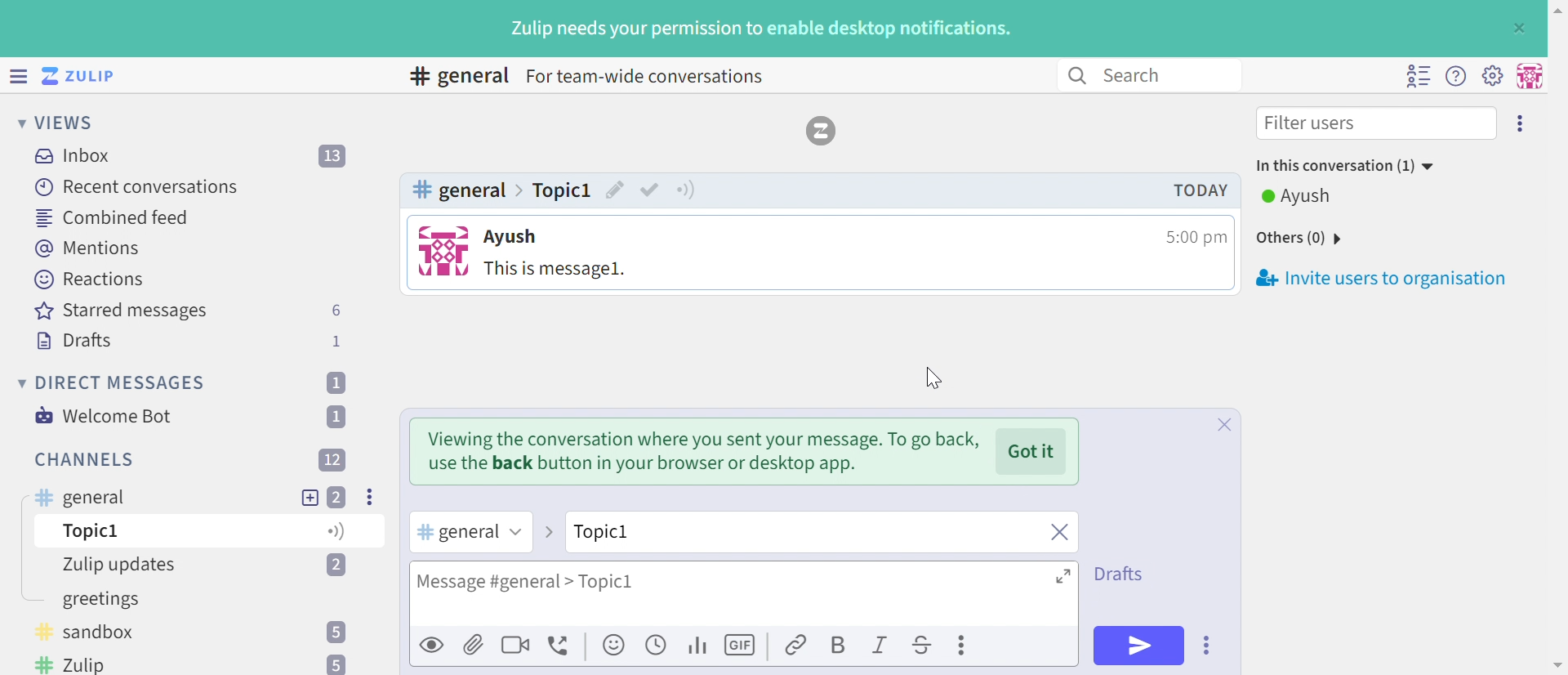  Describe the element at coordinates (122, 383) in the screenshot. I see `DIRECT MESSAGES` at that location.